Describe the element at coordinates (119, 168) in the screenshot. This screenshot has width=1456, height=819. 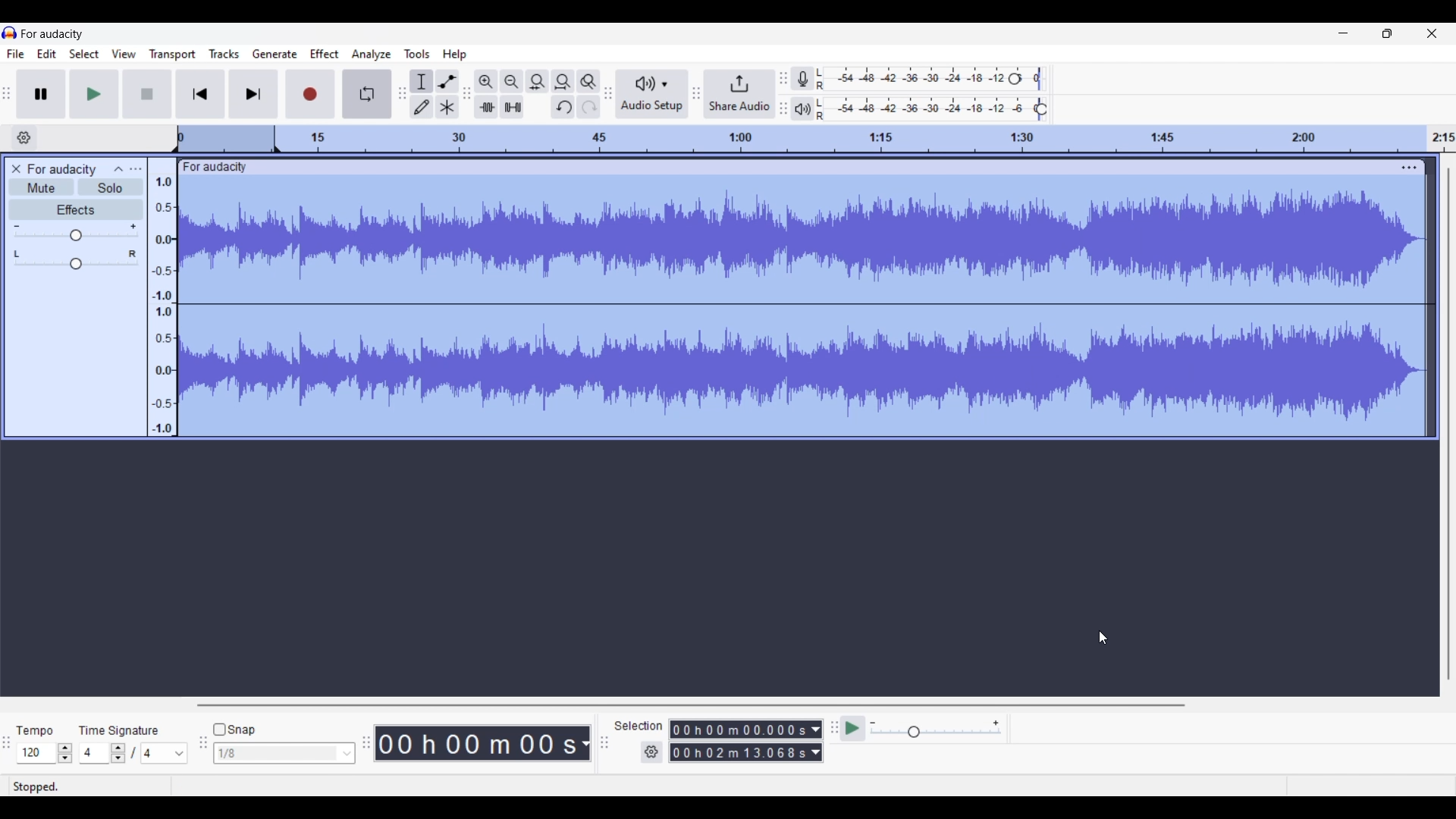
I see `Collapse` at that location.